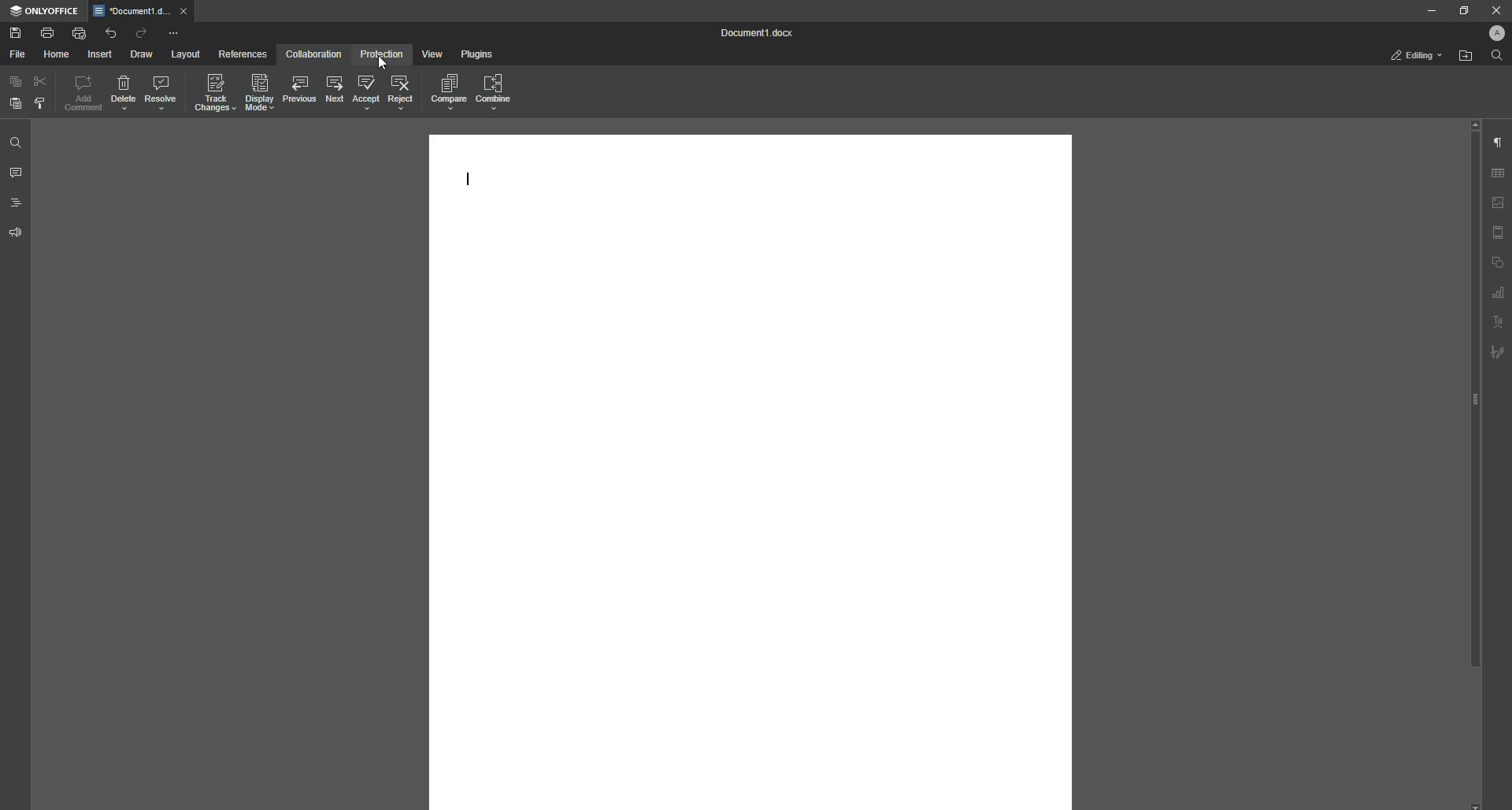 The height and width of the screenshot is (810, 1512). Describe the element at coordinates (45, 10) in the screenshot. I see `ONLYOFFICE` at that location.